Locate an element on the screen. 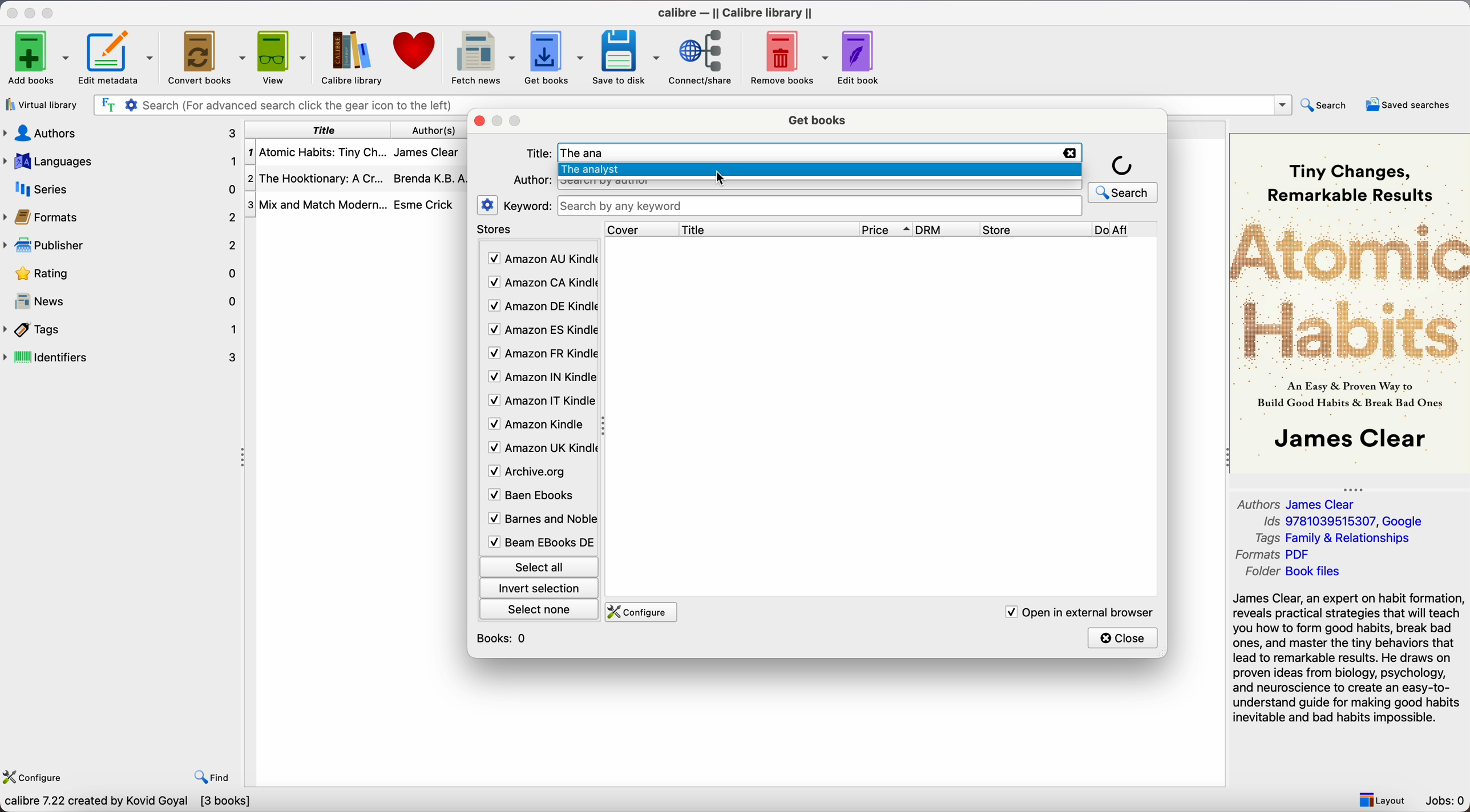  Amazon CA Kindle is located at coordinates (541, 282).